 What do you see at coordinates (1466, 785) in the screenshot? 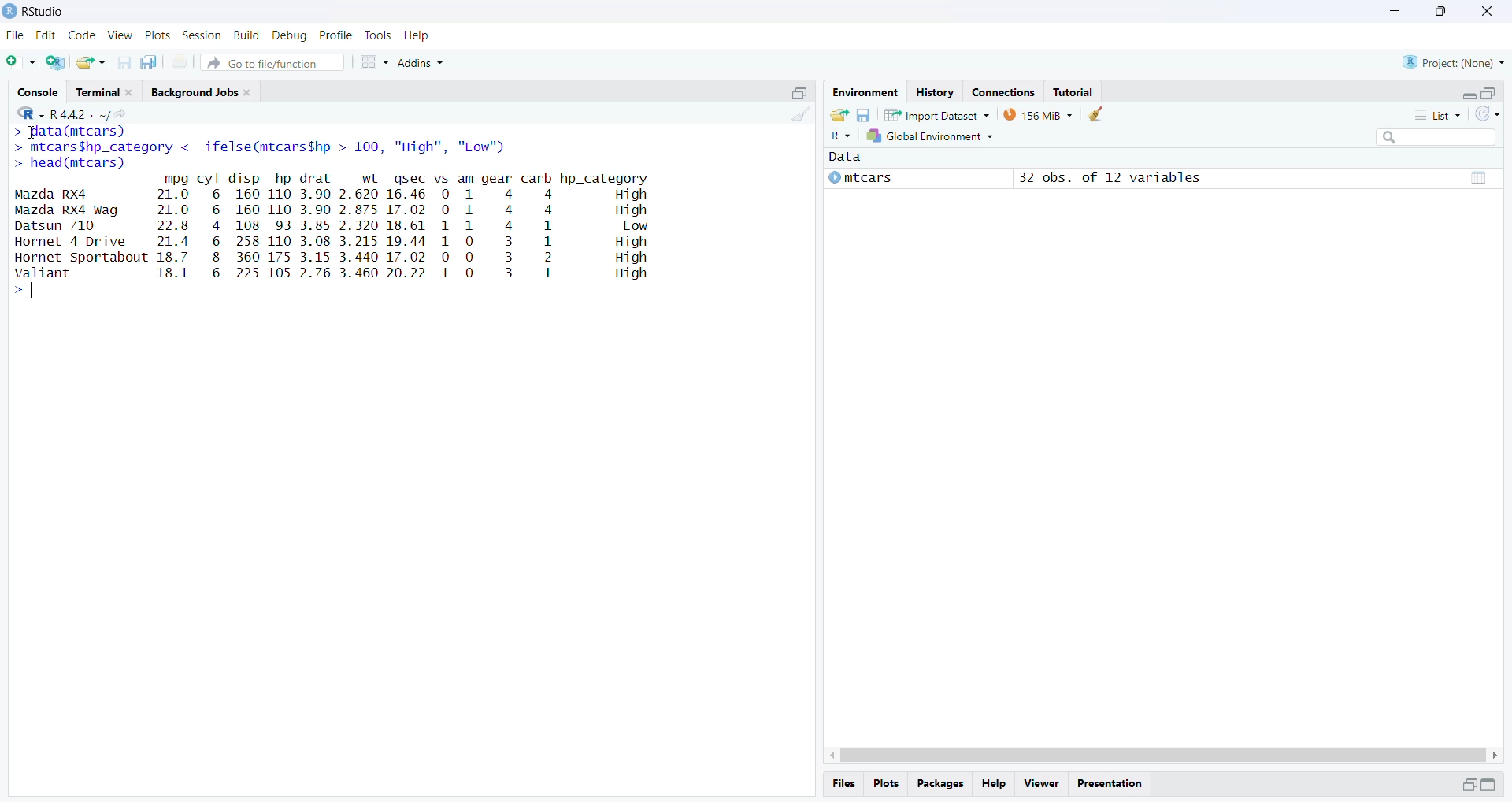
I see `Minimize` at bounding box center [1466, 785].